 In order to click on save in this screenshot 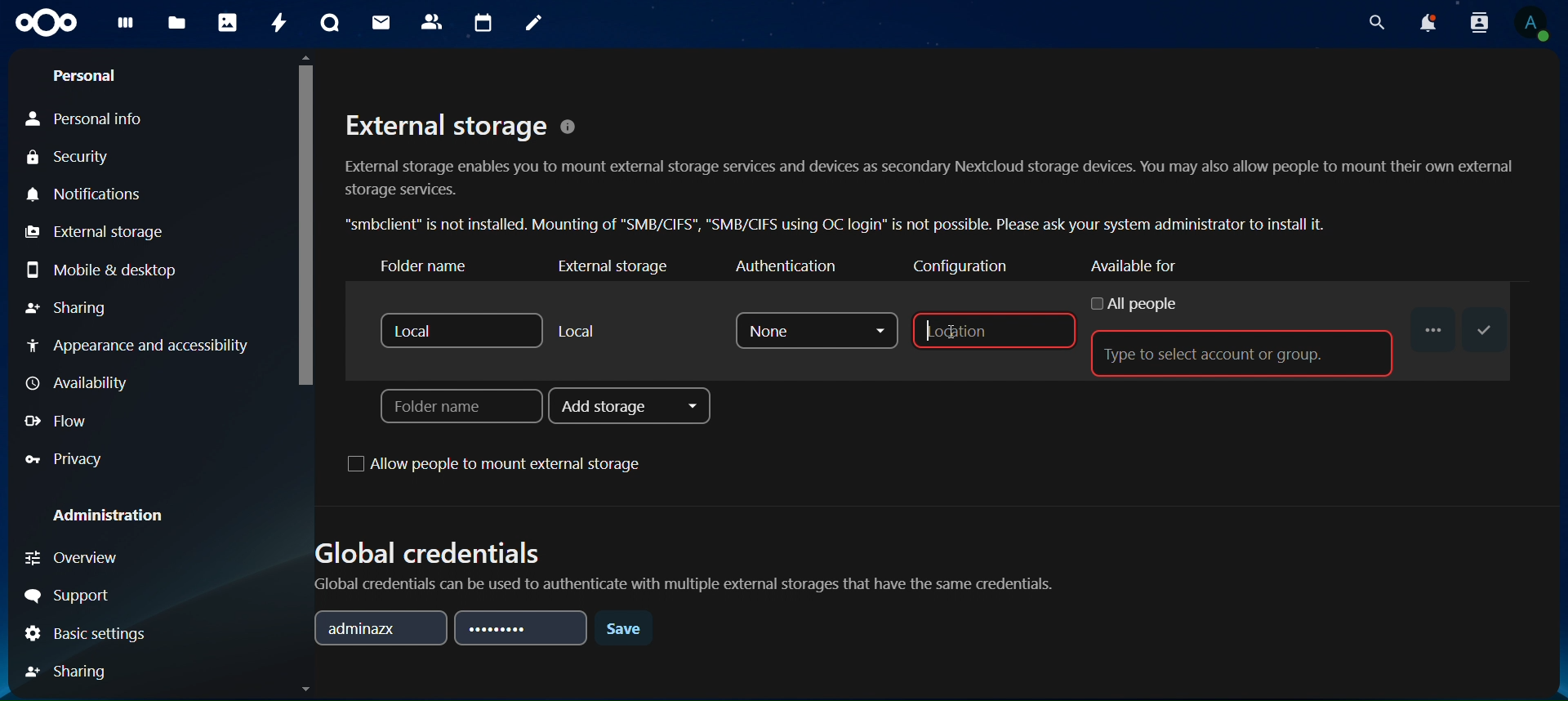, I will do `click(1486, 329)`.